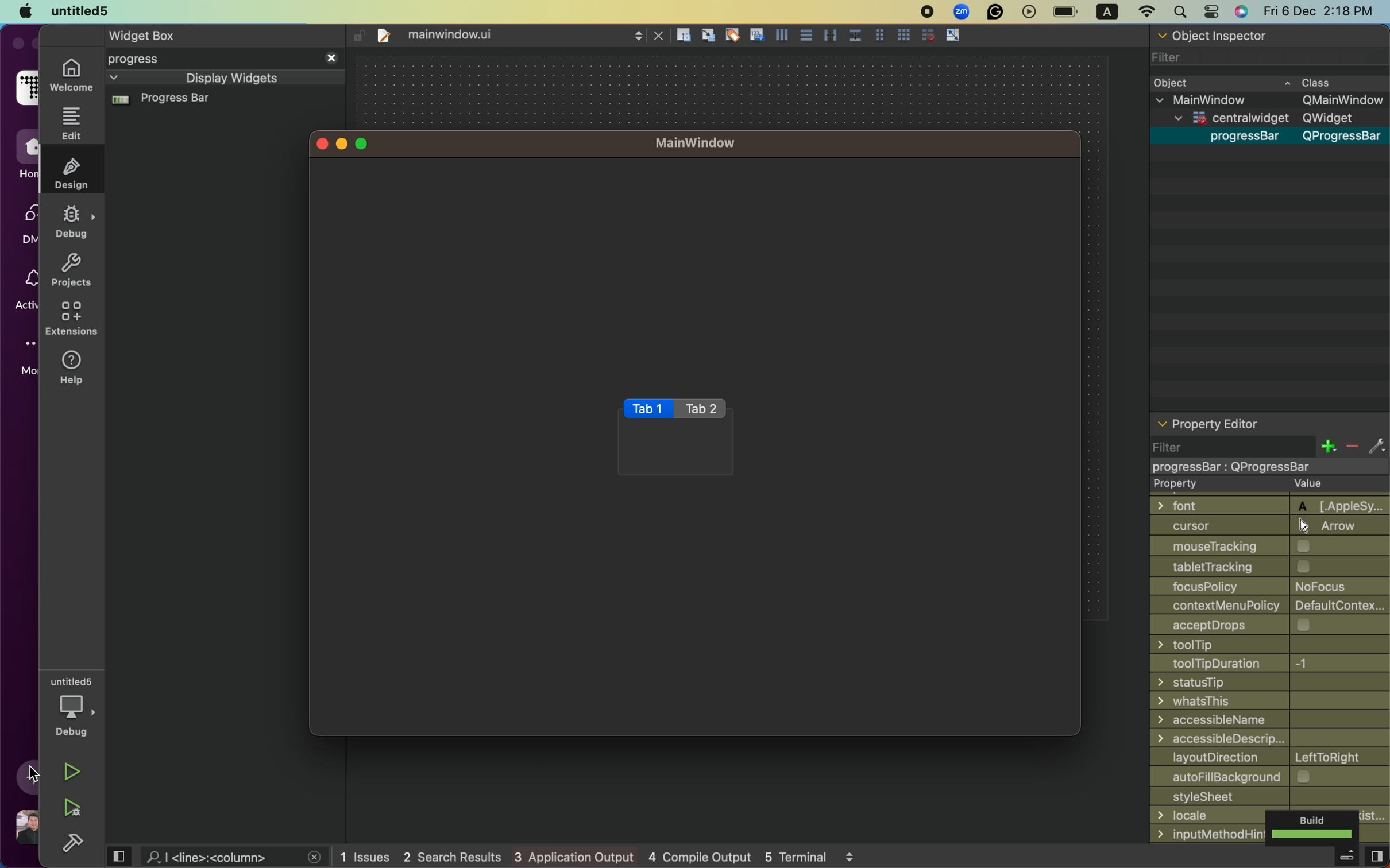 The width and height of the screenshot is (1390, 868). I want to click on G, so click(993, 12).